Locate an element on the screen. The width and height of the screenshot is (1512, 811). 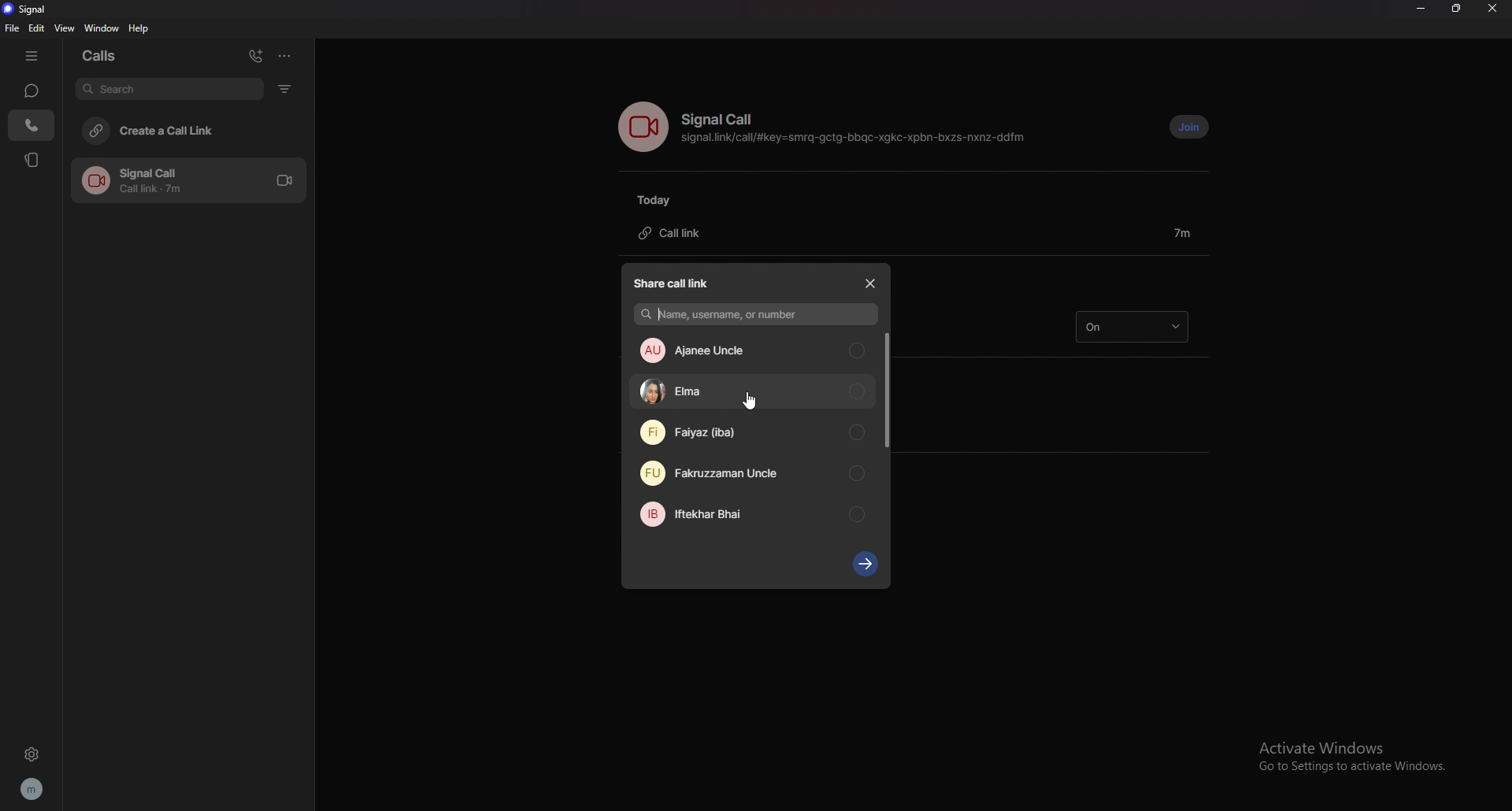
close is located at coordinates (1492, 9).